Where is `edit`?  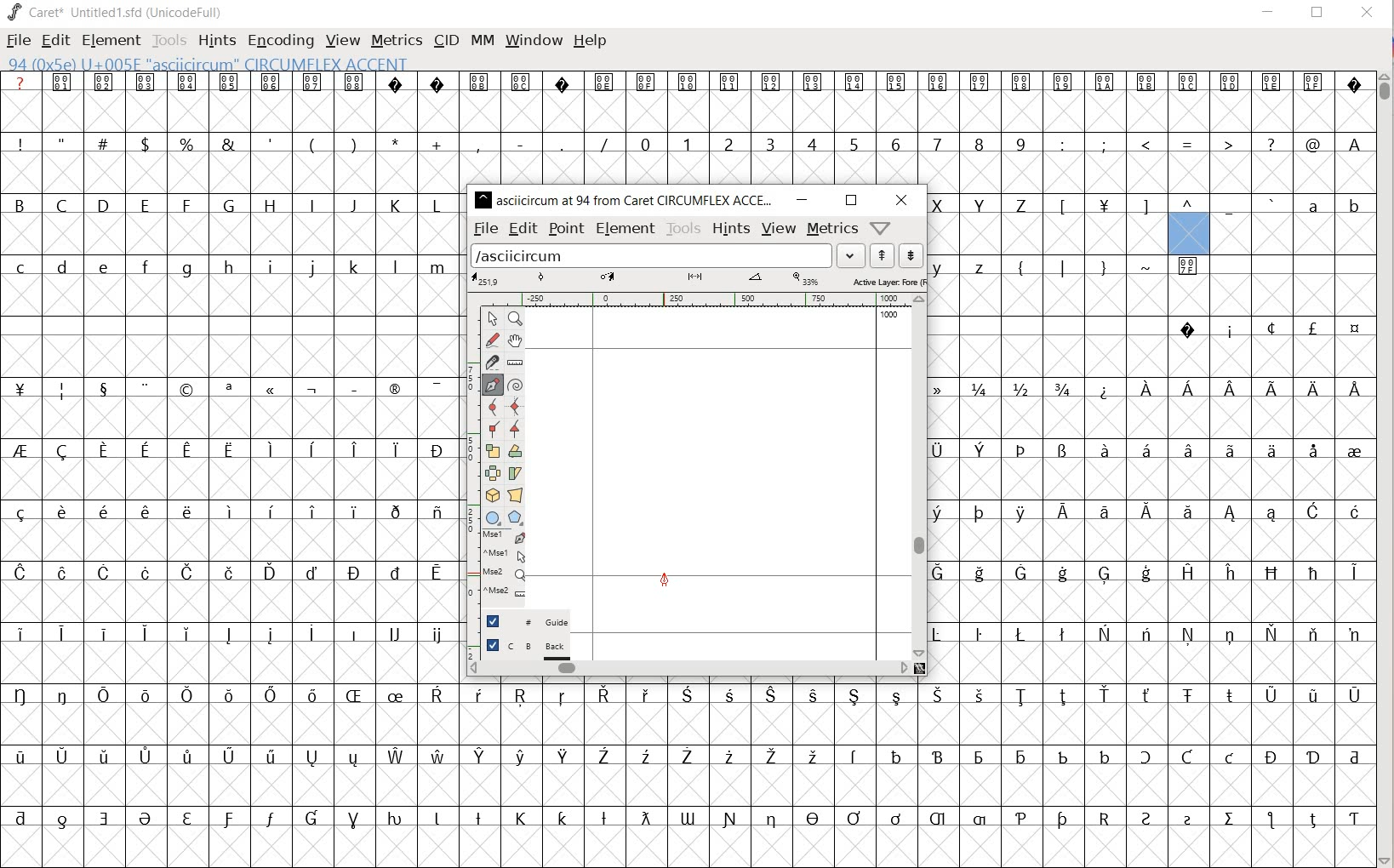 edit is located at coordinates (523, 229).